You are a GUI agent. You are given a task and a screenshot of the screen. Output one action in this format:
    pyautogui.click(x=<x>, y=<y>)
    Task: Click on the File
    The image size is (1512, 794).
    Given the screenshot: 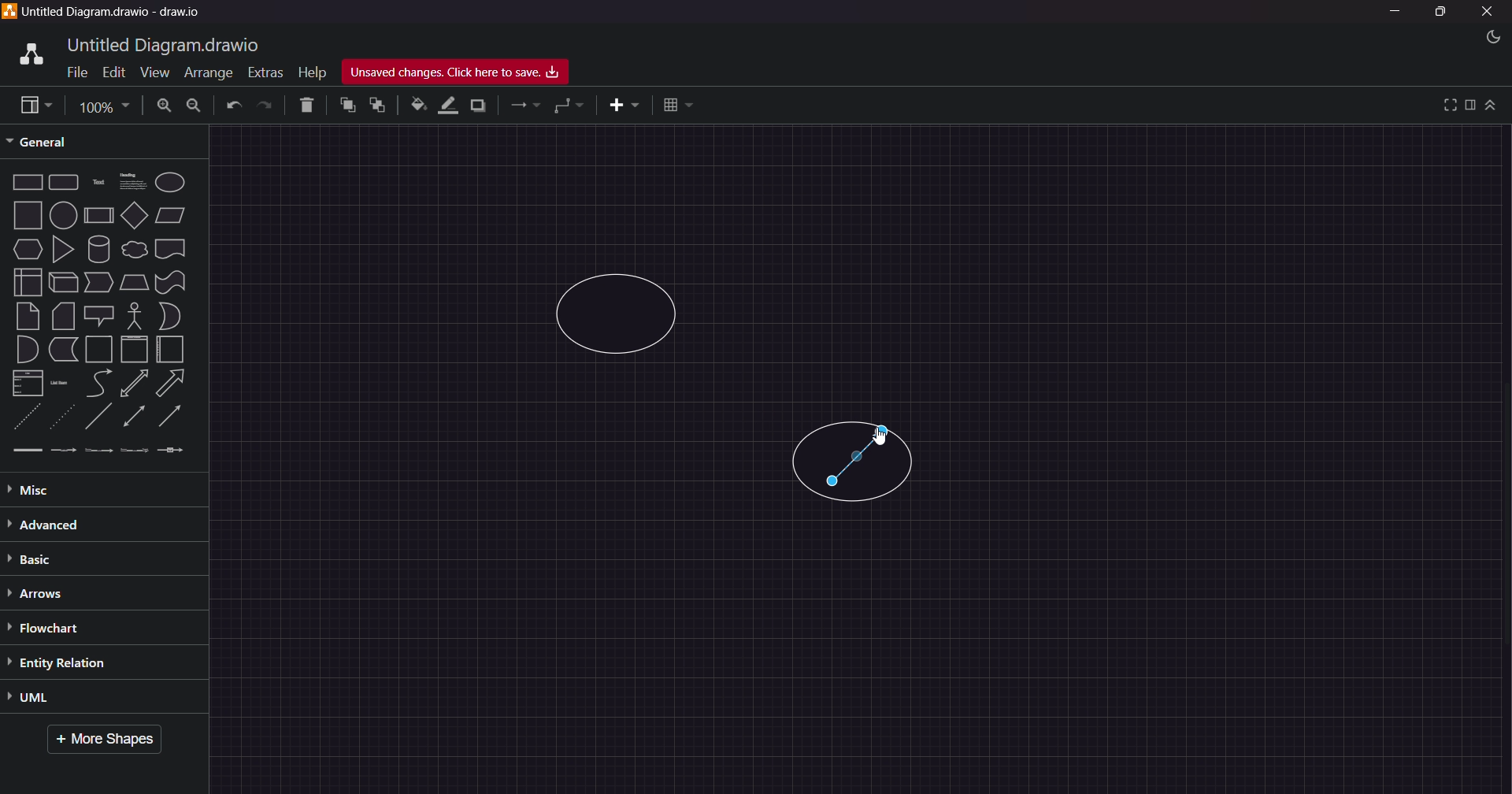 What is the action you would take?
    pyautogui.click(x=74, y=73)
    